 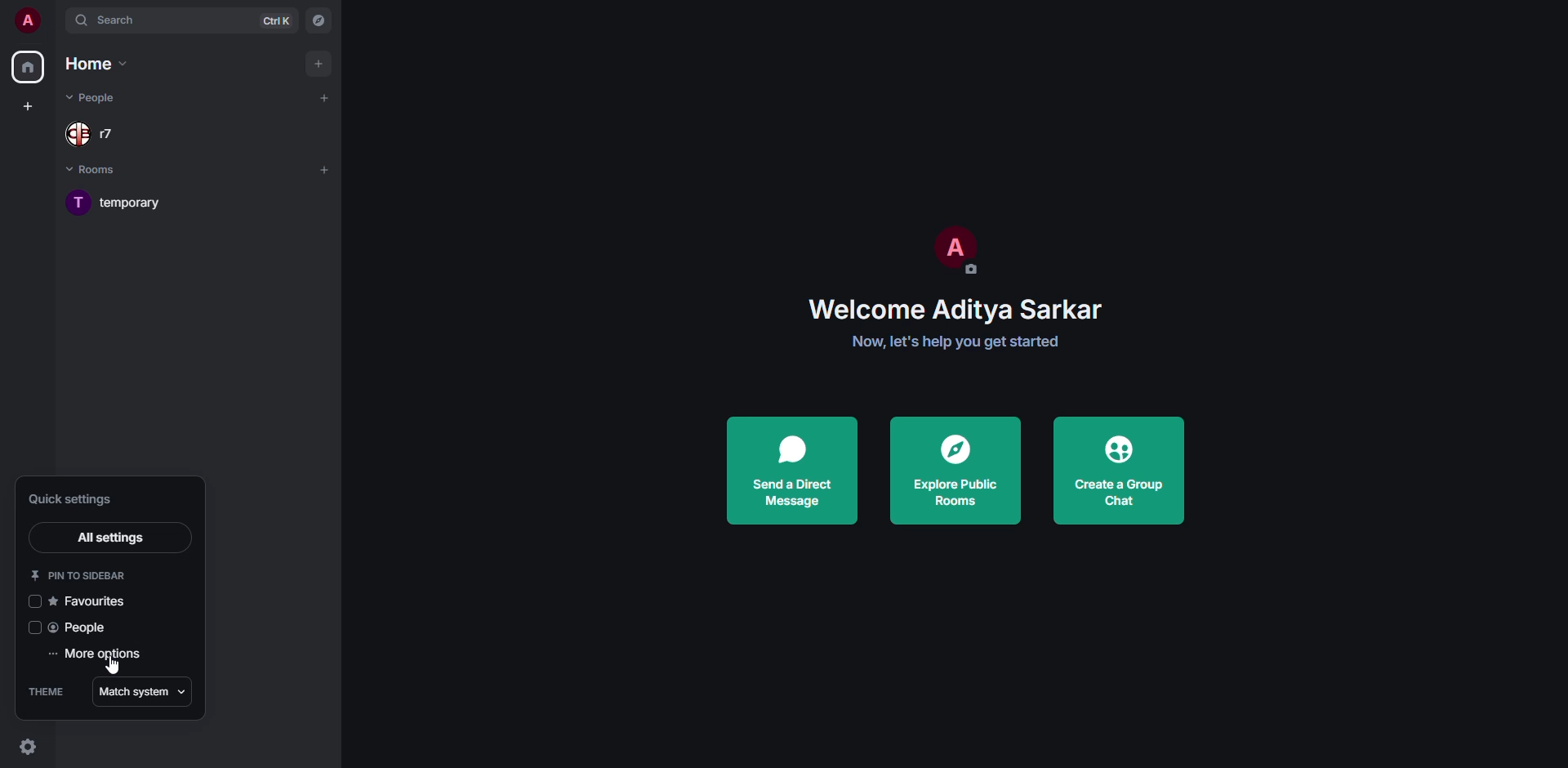 What do you see at coordinates (28, 105) in the screenshot?
I see `create space` at bounding box center [28, 105].